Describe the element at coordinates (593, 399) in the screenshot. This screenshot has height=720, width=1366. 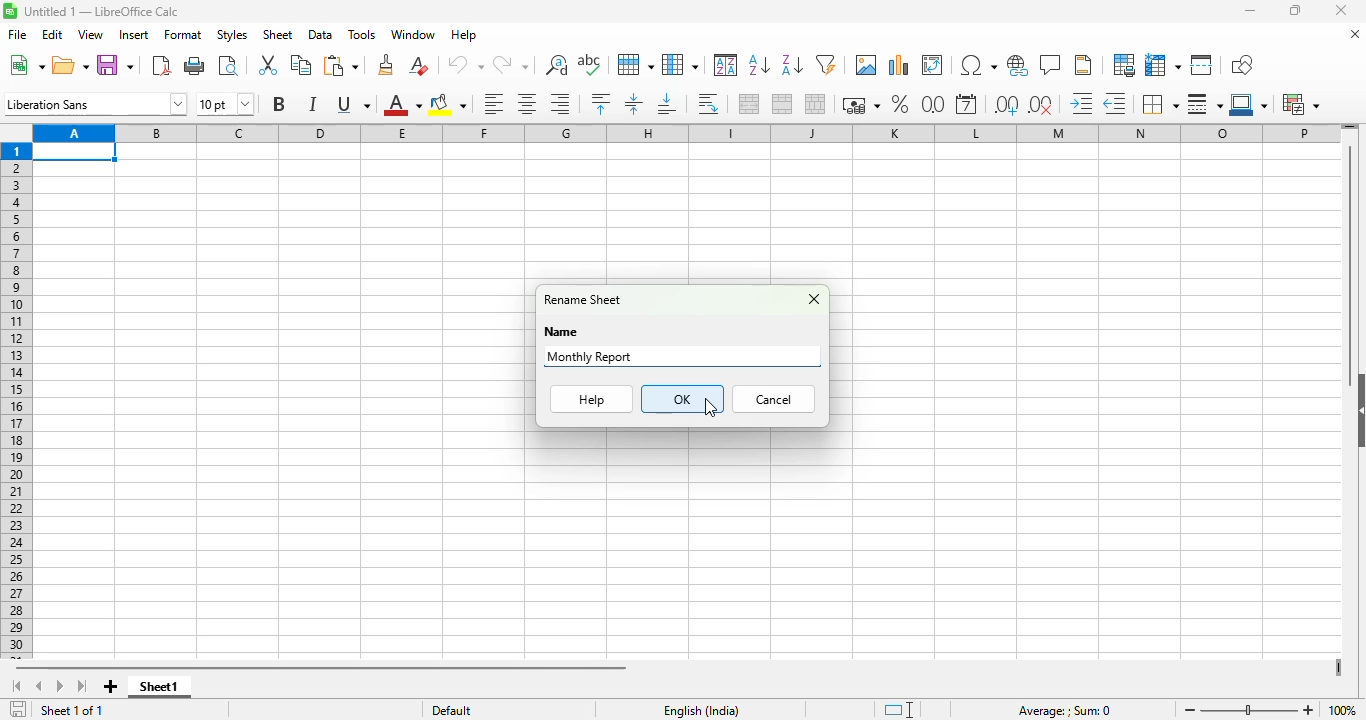
I see `help` at that location.